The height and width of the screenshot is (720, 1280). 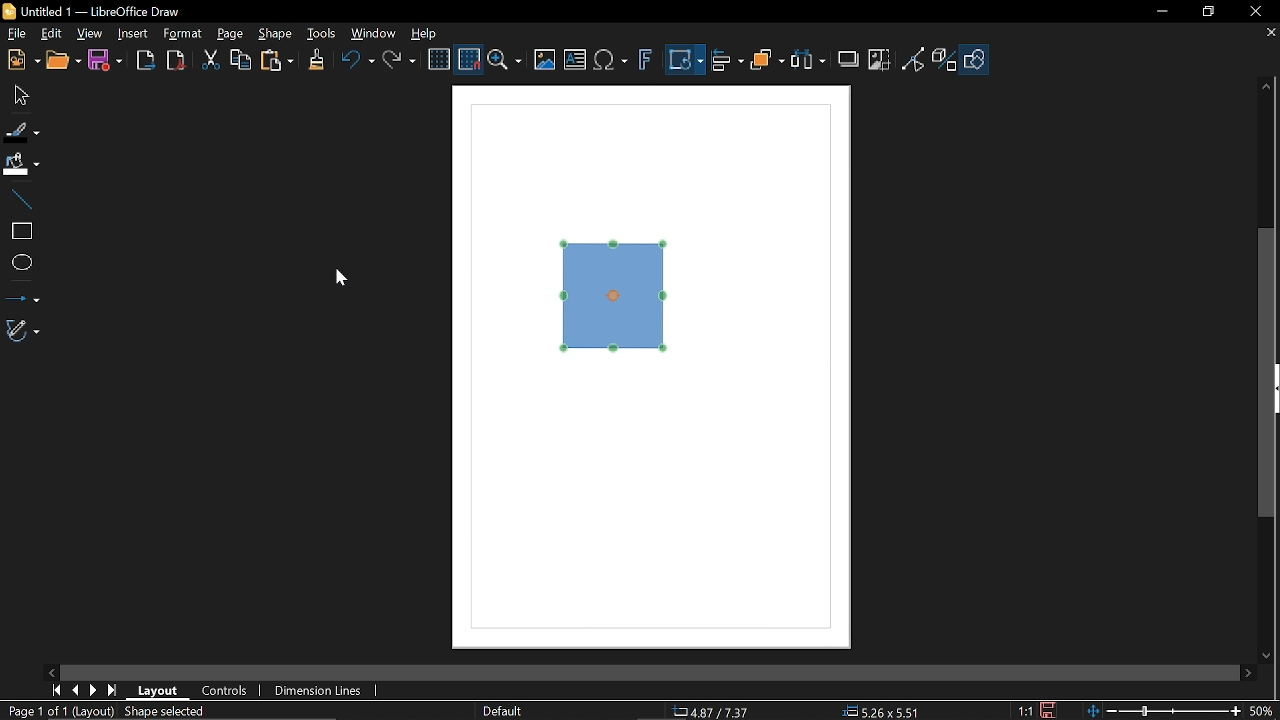 What do you see at coordinates (846, 58) in the screenshot?
I see `Shadow` at bounding box center [846, 58].